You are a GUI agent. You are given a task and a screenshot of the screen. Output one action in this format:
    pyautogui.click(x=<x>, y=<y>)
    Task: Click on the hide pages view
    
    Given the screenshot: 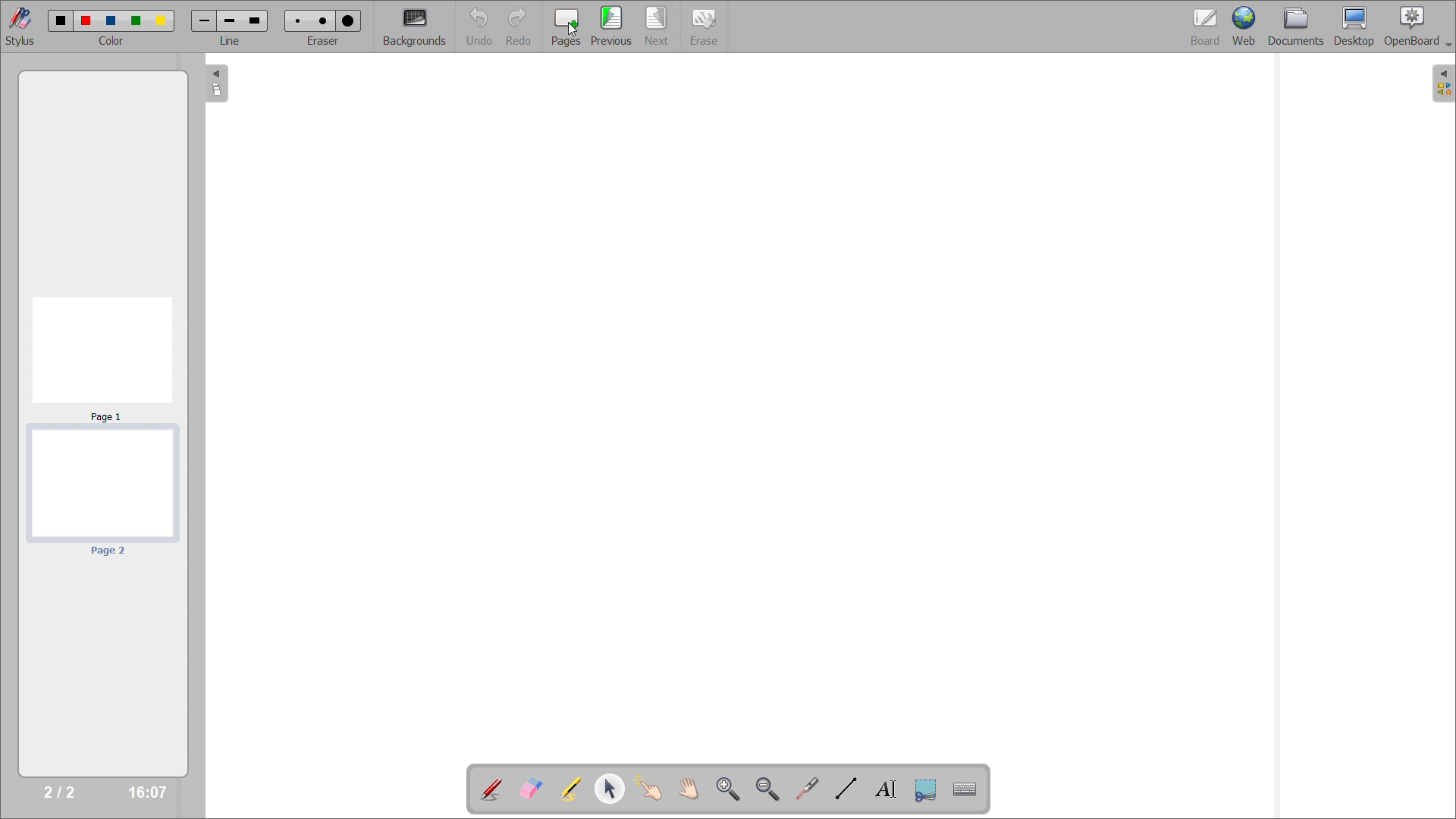 What is the action you would take?
    pyautogui.click(x=214, y=83)
    